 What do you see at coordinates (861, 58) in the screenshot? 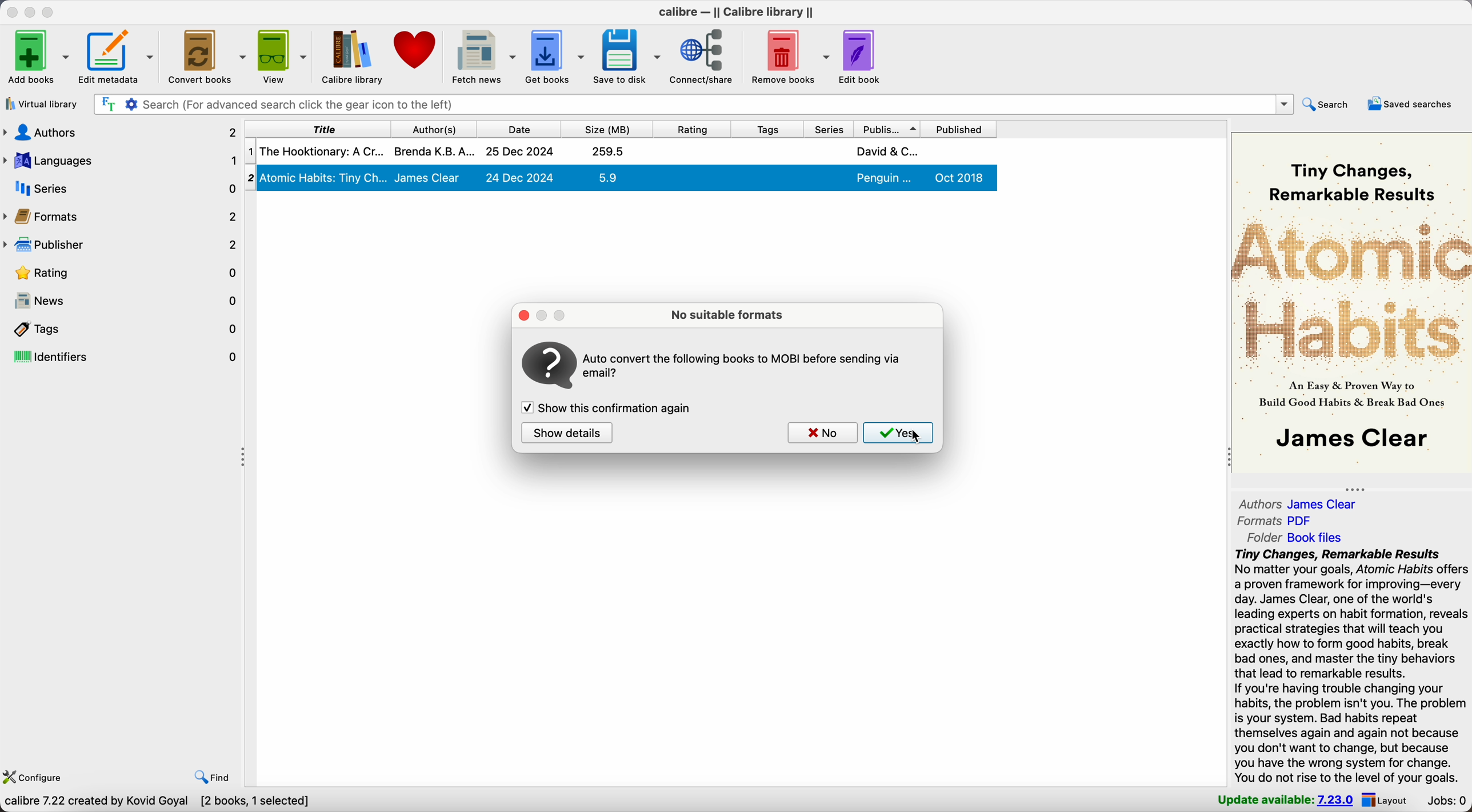
I see `edit book` at bounding box center [861, 58].